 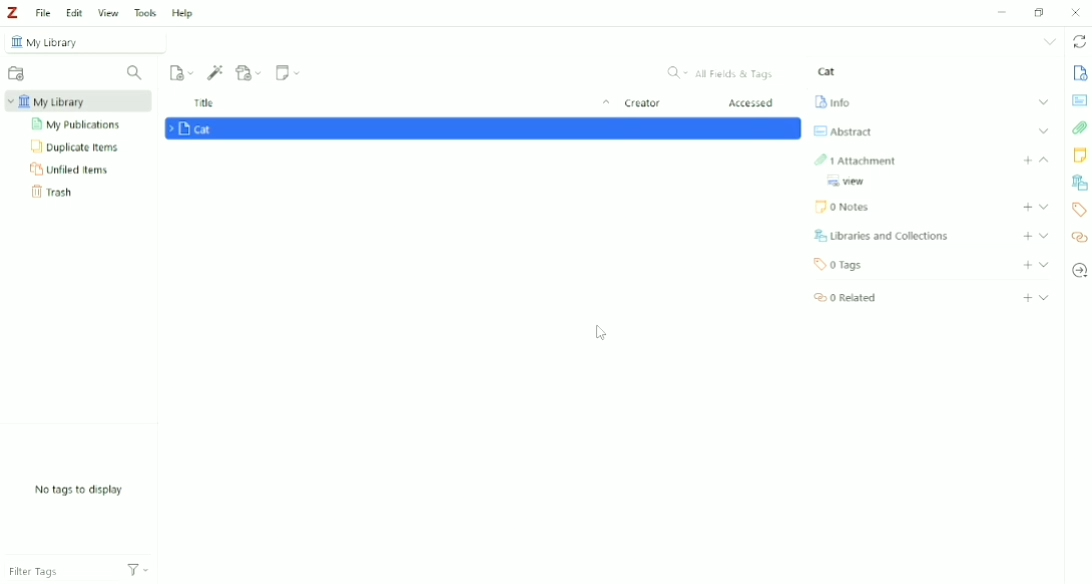 I want to click on Cat, so click(x=195, y=129).